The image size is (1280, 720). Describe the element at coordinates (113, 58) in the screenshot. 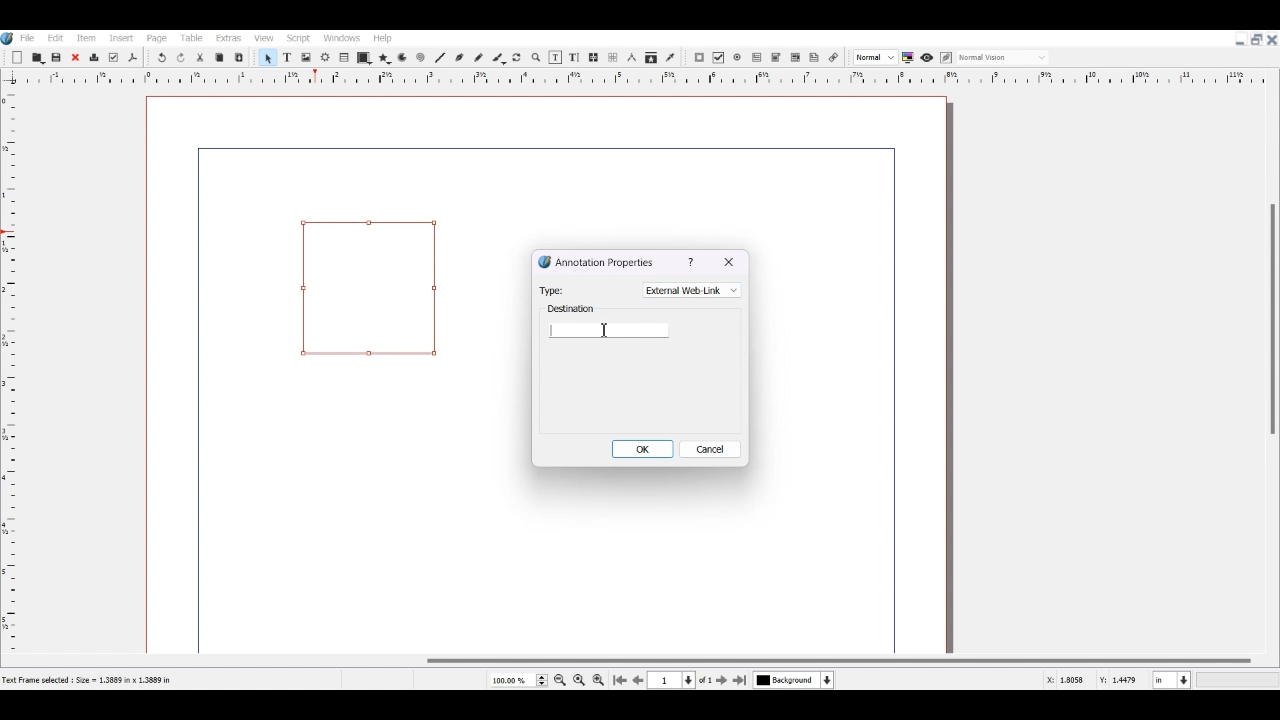

I see `Preflight verifier` at that location.